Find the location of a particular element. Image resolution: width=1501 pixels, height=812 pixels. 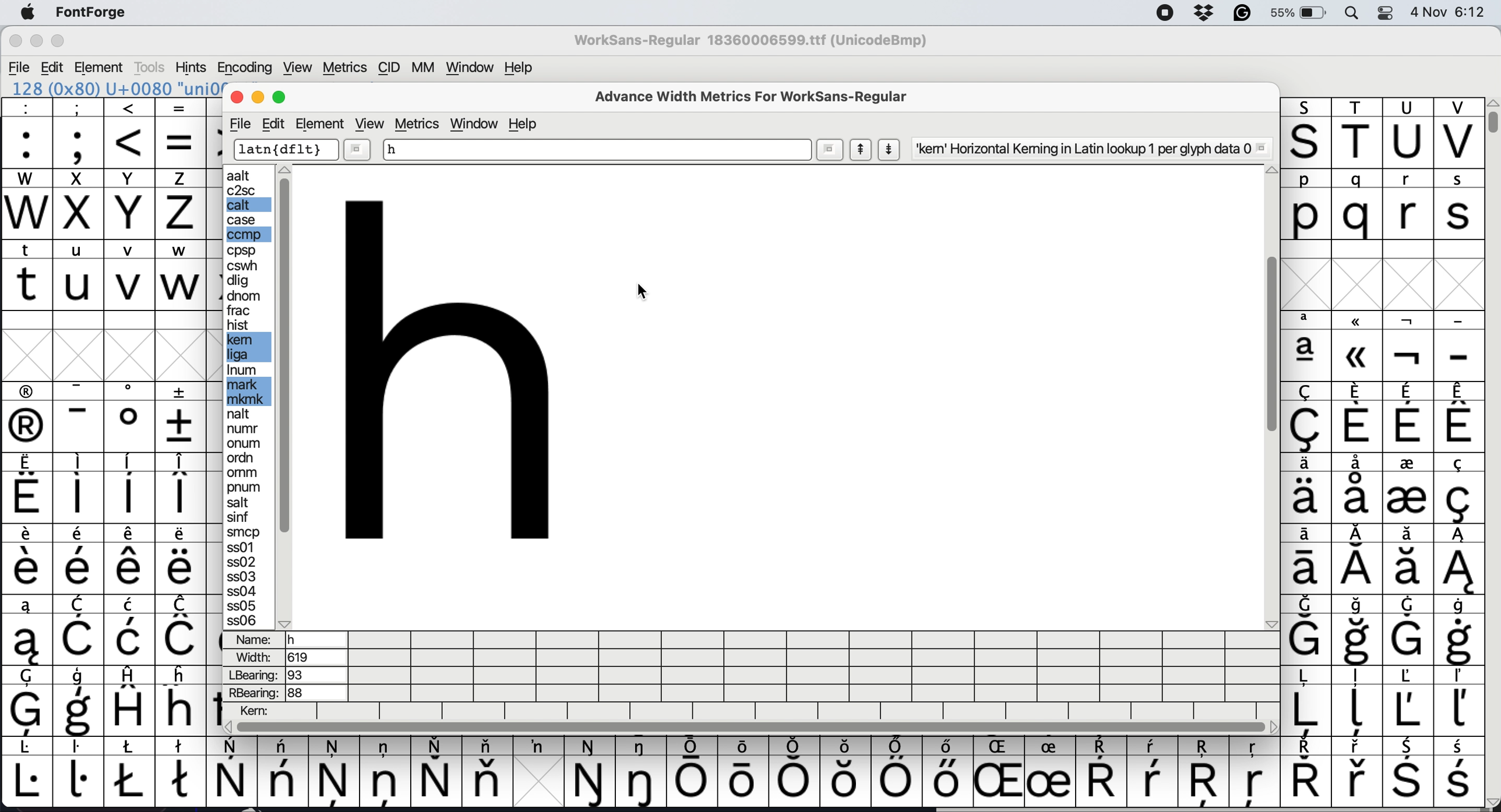

MM is located at coordinates (426, 66).